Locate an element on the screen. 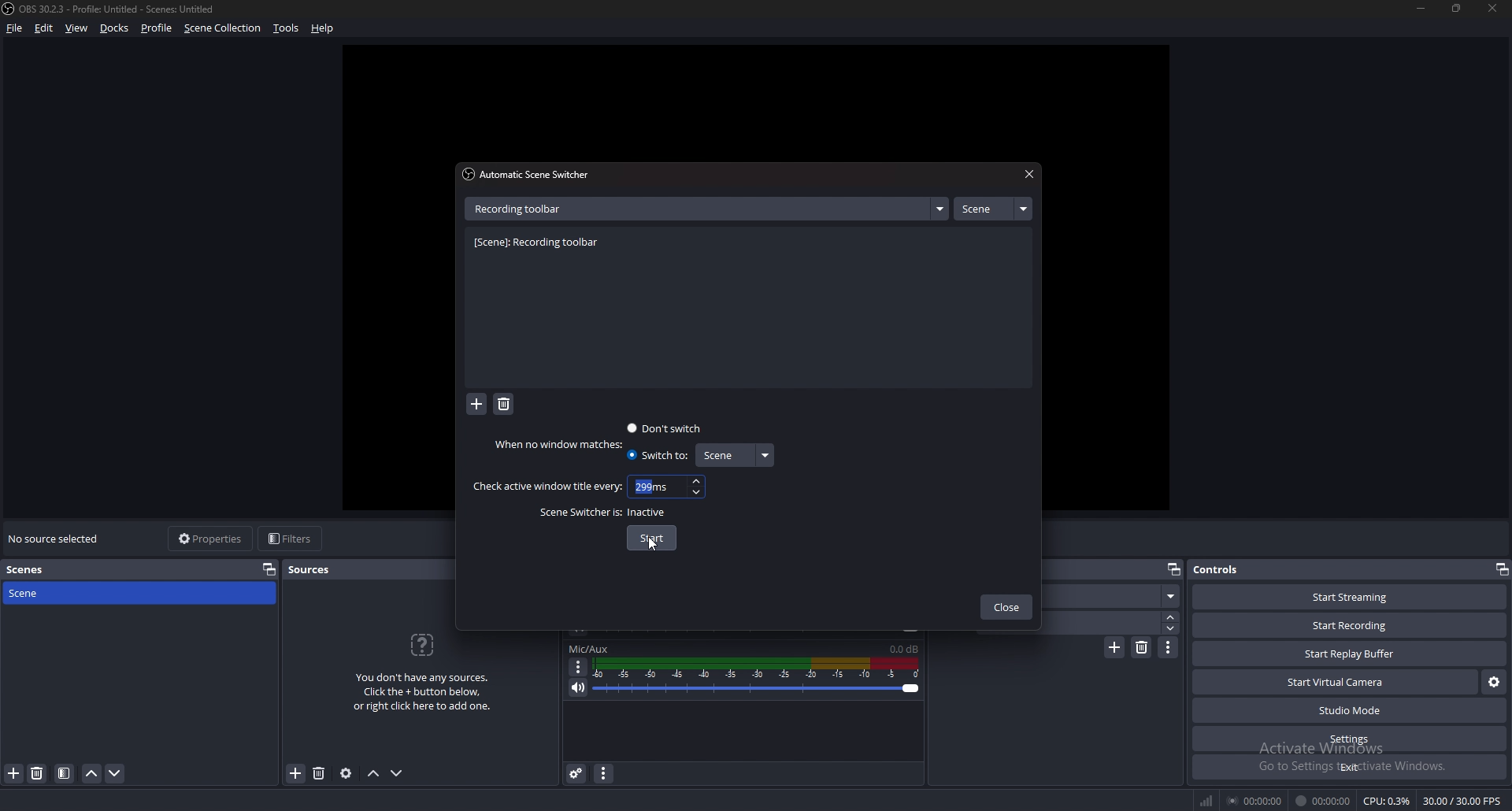  start streaming is located at coordinates (1351, 597).